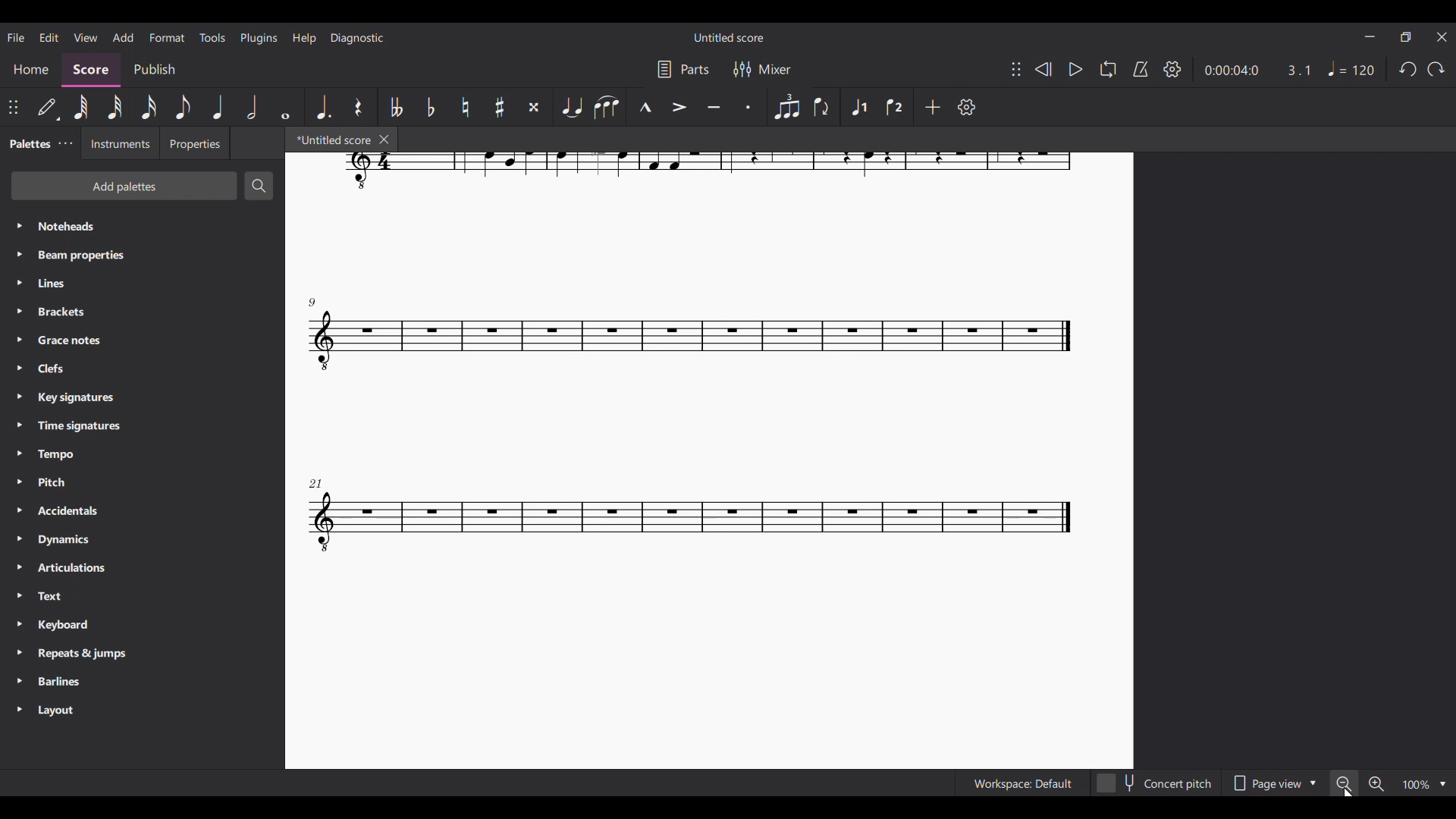  I want to click on Rewind, so click(1043, 70).